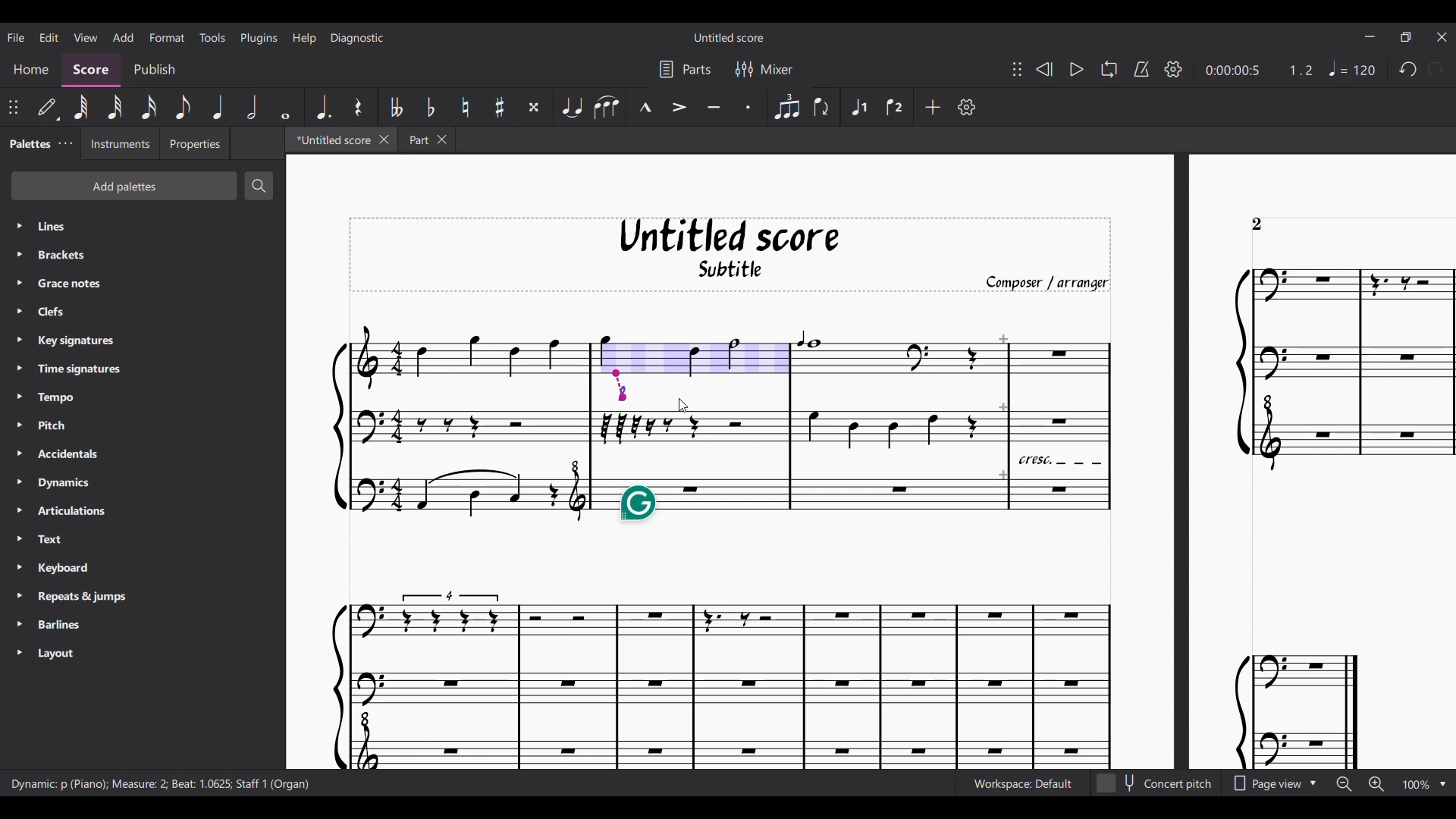 The height and width of the screenshot is (819, 1456). I want to click on Metronome, so click(1141, 69).